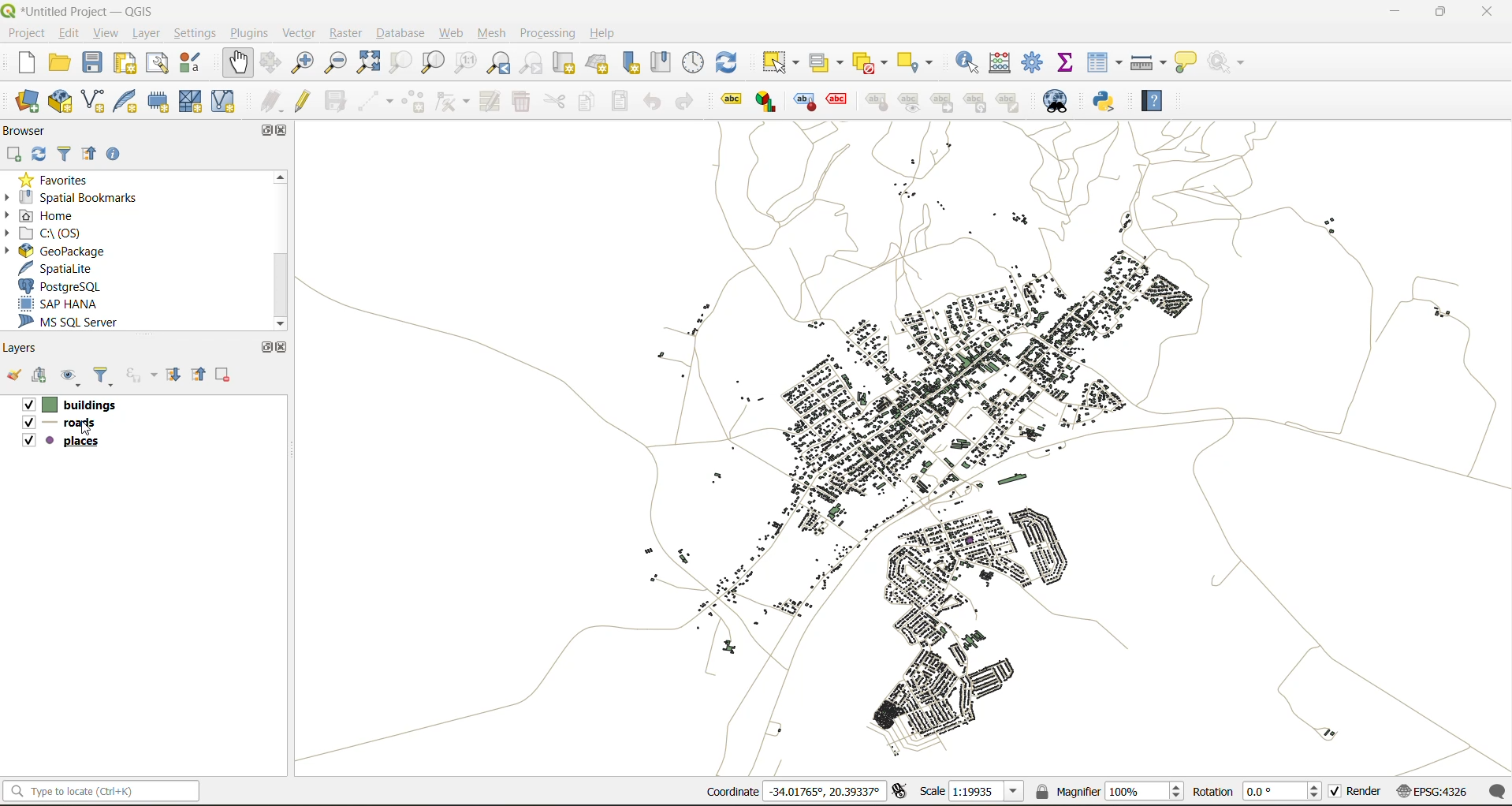  I want to click on undo, so click(655, 102).